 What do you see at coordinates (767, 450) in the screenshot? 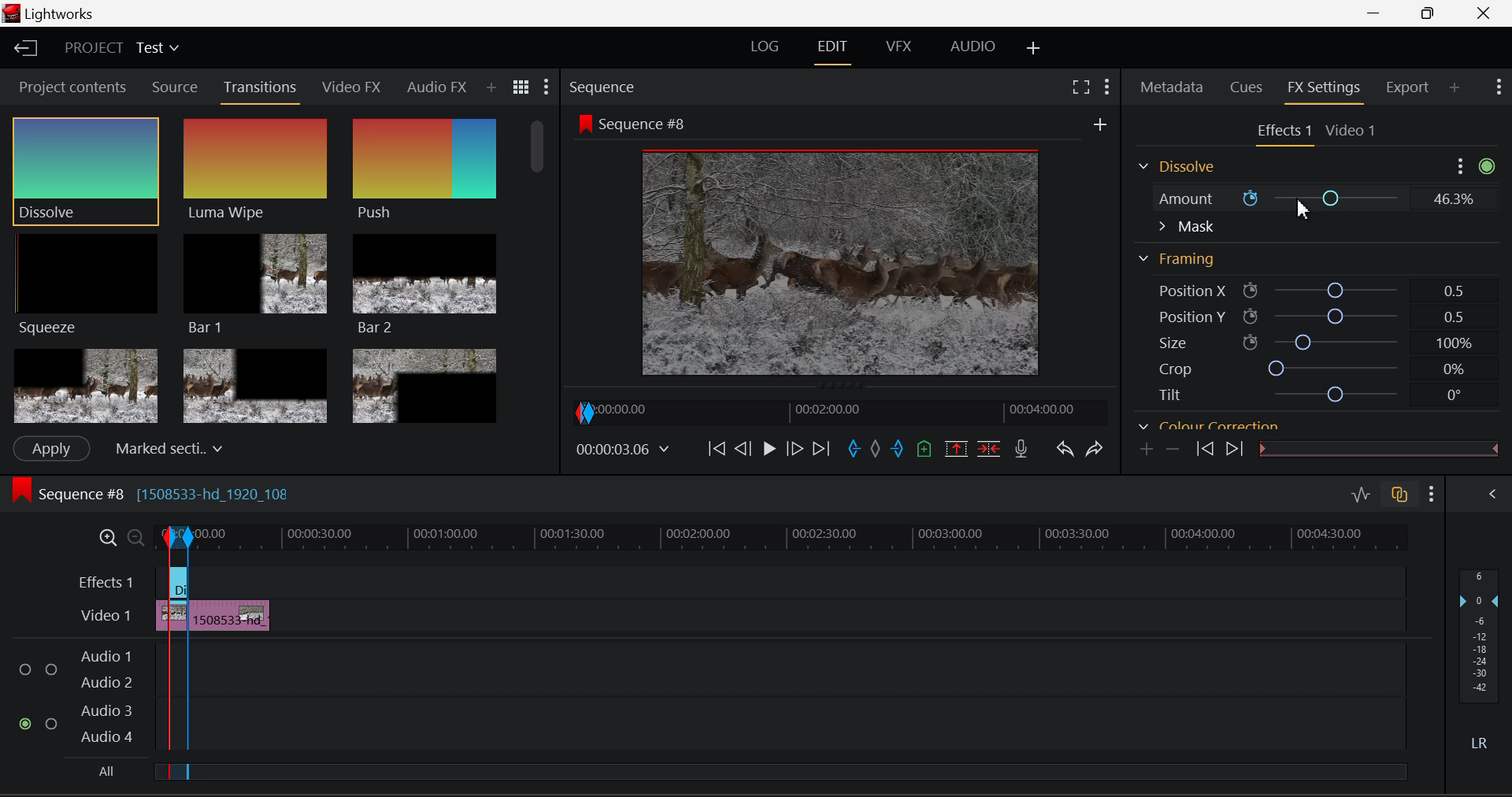
I see `Video Paused` at bounding box center [767, 450].